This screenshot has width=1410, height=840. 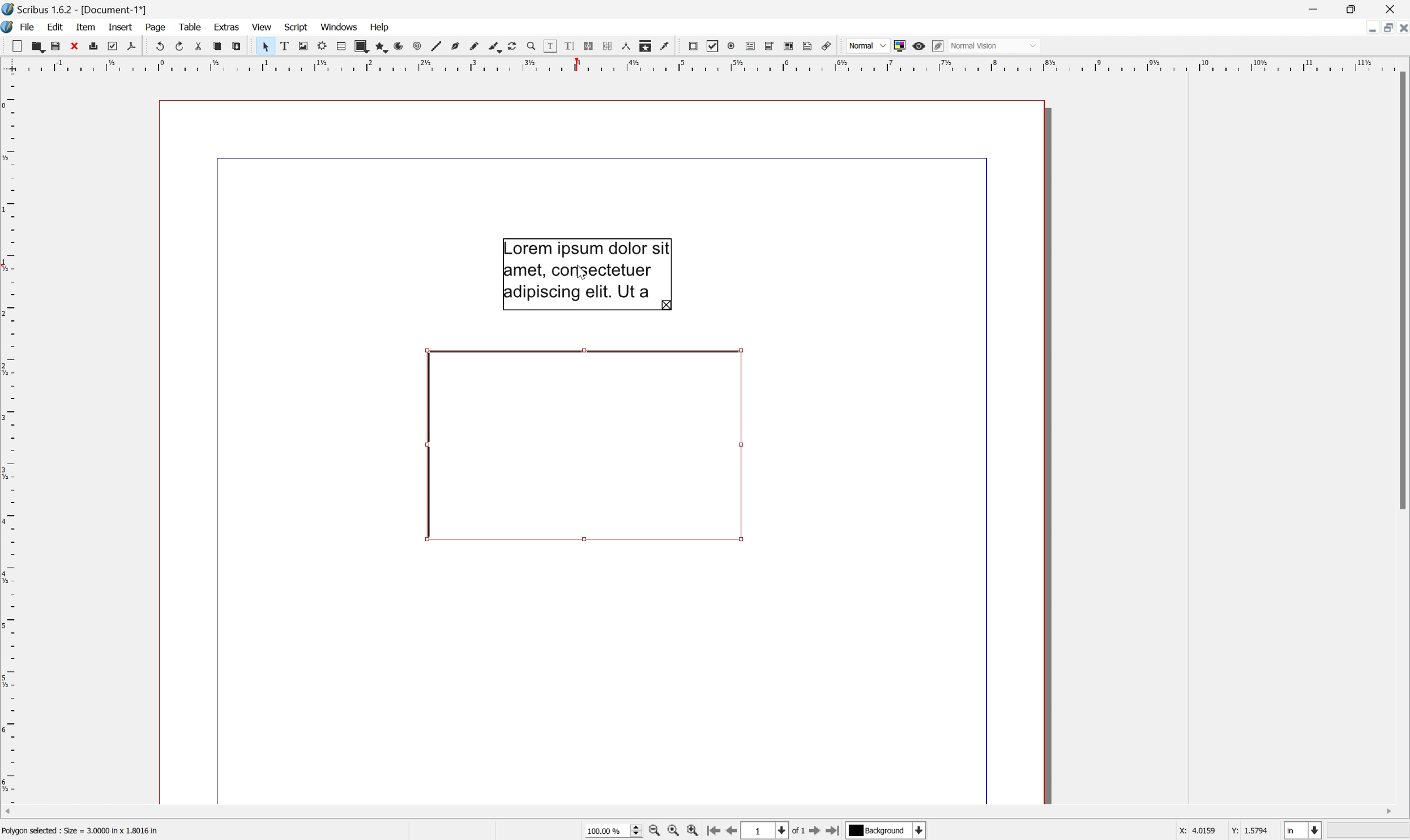 I want to click on New, so click(x=11, y=46).